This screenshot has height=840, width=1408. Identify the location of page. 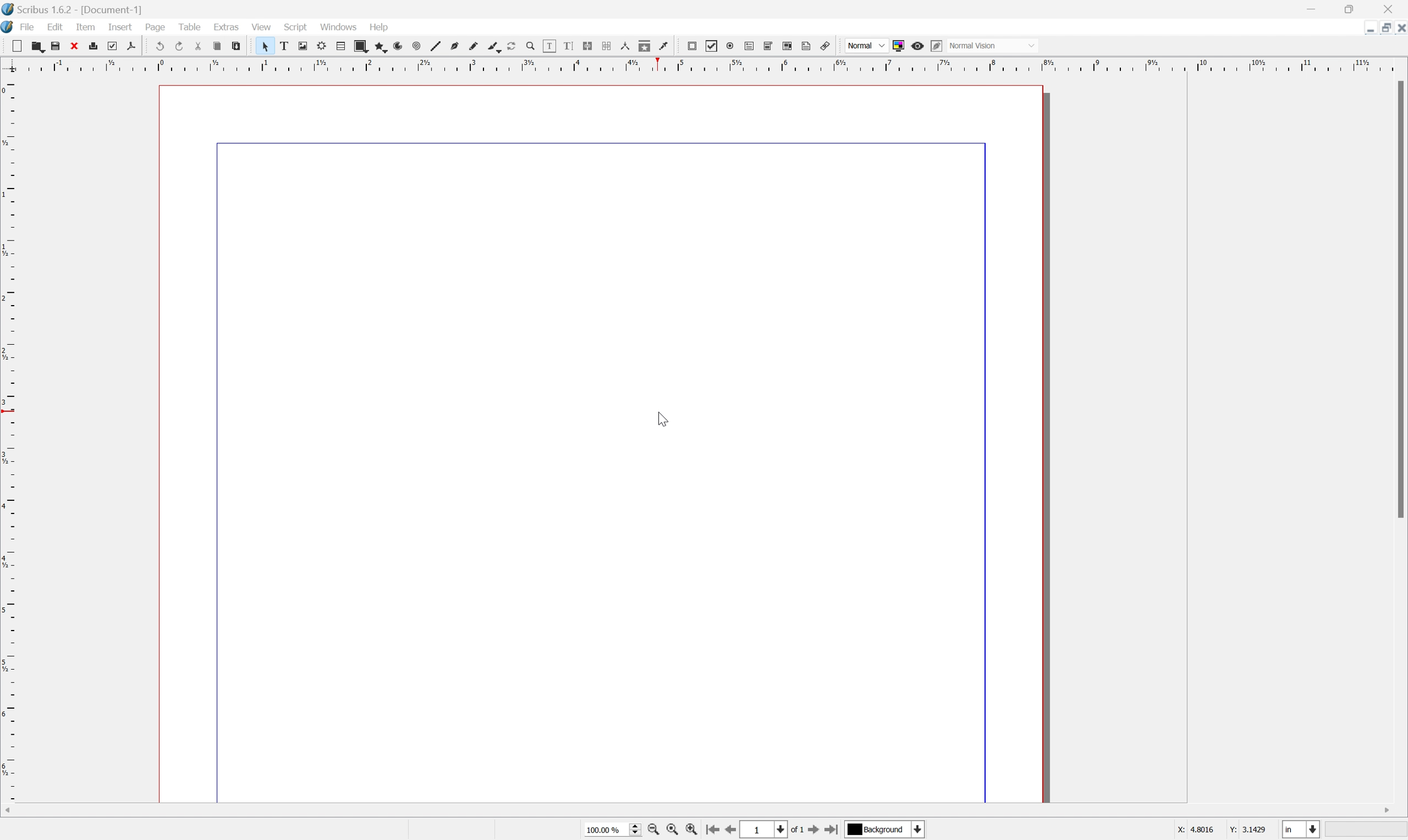
(155, 27).